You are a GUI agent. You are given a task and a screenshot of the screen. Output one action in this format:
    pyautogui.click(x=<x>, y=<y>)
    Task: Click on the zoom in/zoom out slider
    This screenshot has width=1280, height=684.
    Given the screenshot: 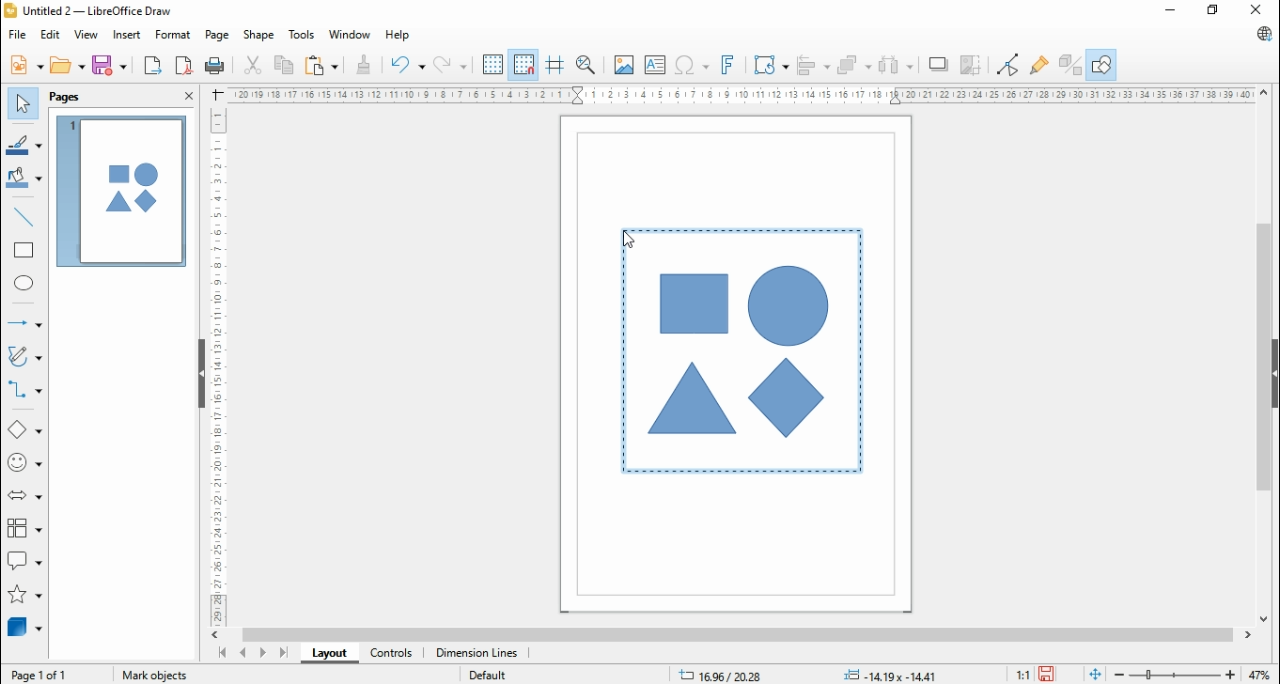 What is the action you would take?
    pyautogui.click(x=1174, y=674)
    